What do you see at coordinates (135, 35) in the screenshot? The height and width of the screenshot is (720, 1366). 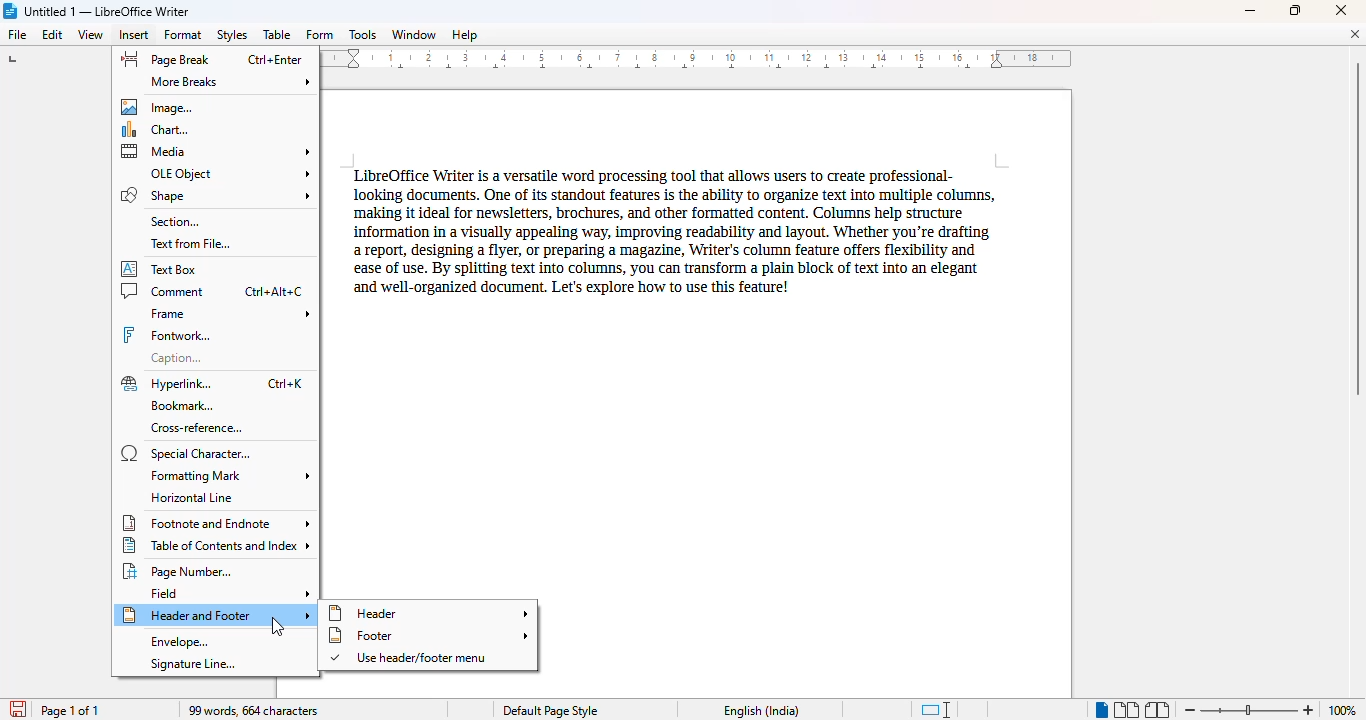 I see `insert` at bounding box center [135, 35].